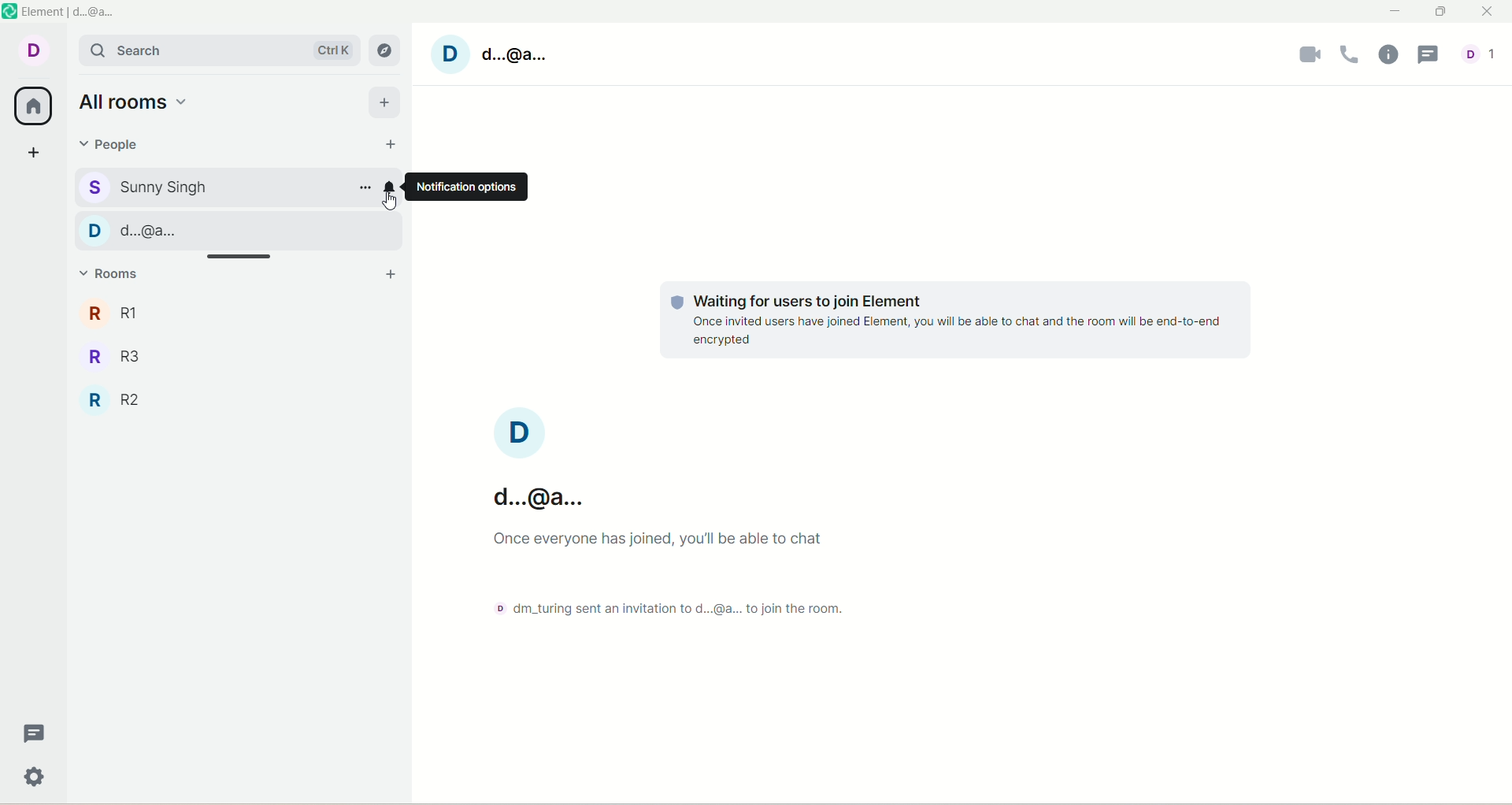  I want to click on pointer cursor, so click(387, 203).